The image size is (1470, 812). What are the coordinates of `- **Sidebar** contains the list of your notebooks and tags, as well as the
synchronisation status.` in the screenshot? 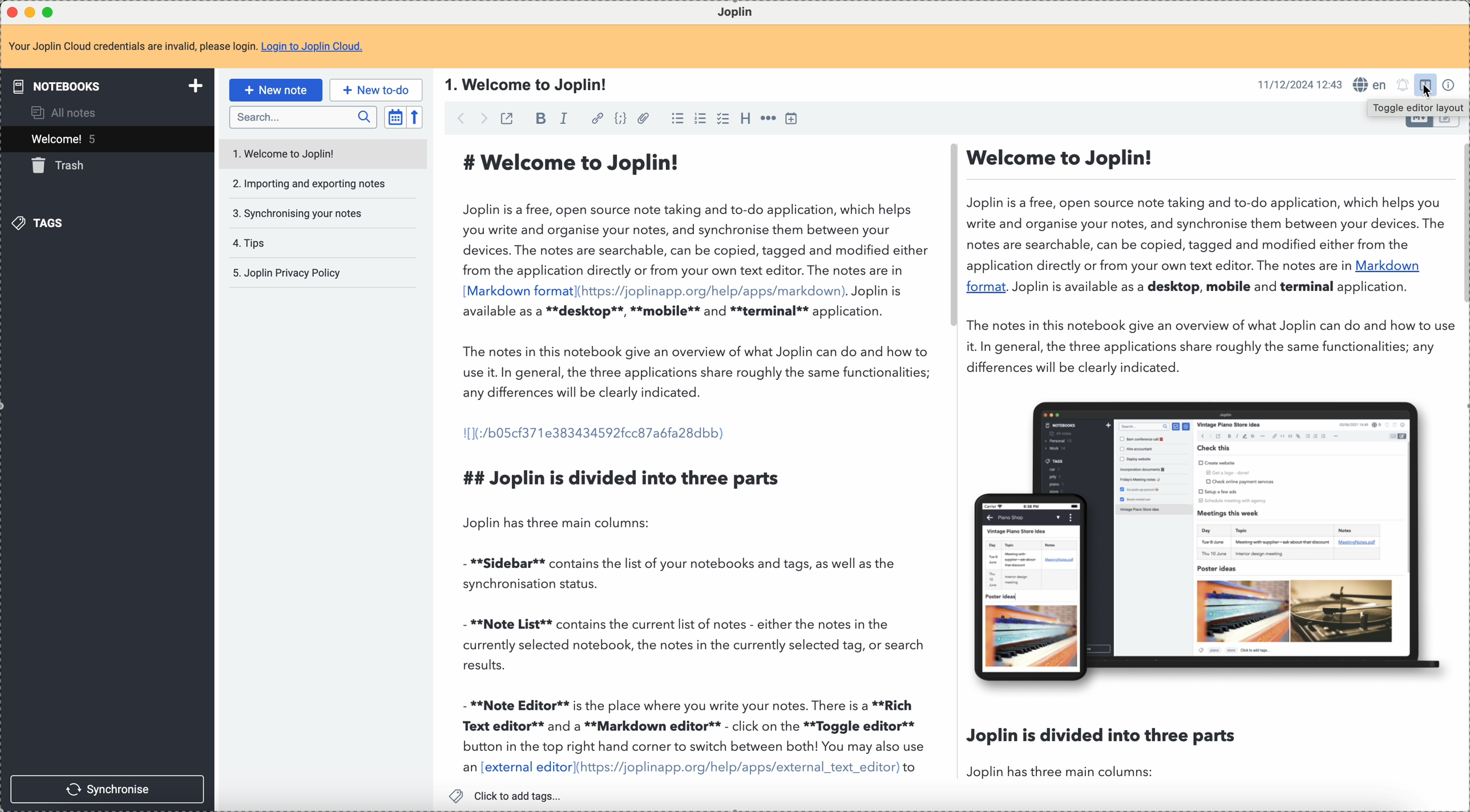 It's located at (681, 573).